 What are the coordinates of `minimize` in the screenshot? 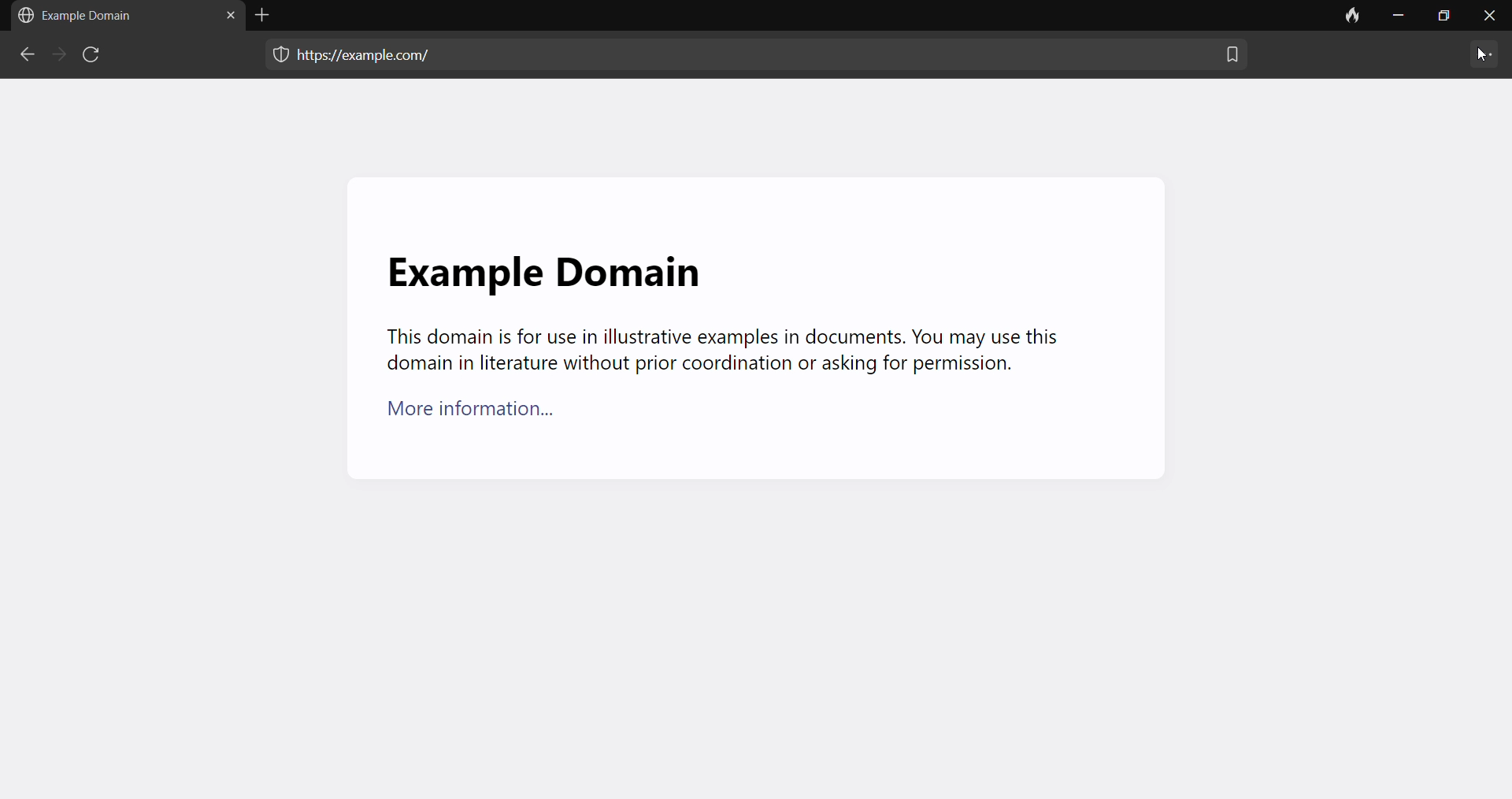 It's located at (1397, 18).